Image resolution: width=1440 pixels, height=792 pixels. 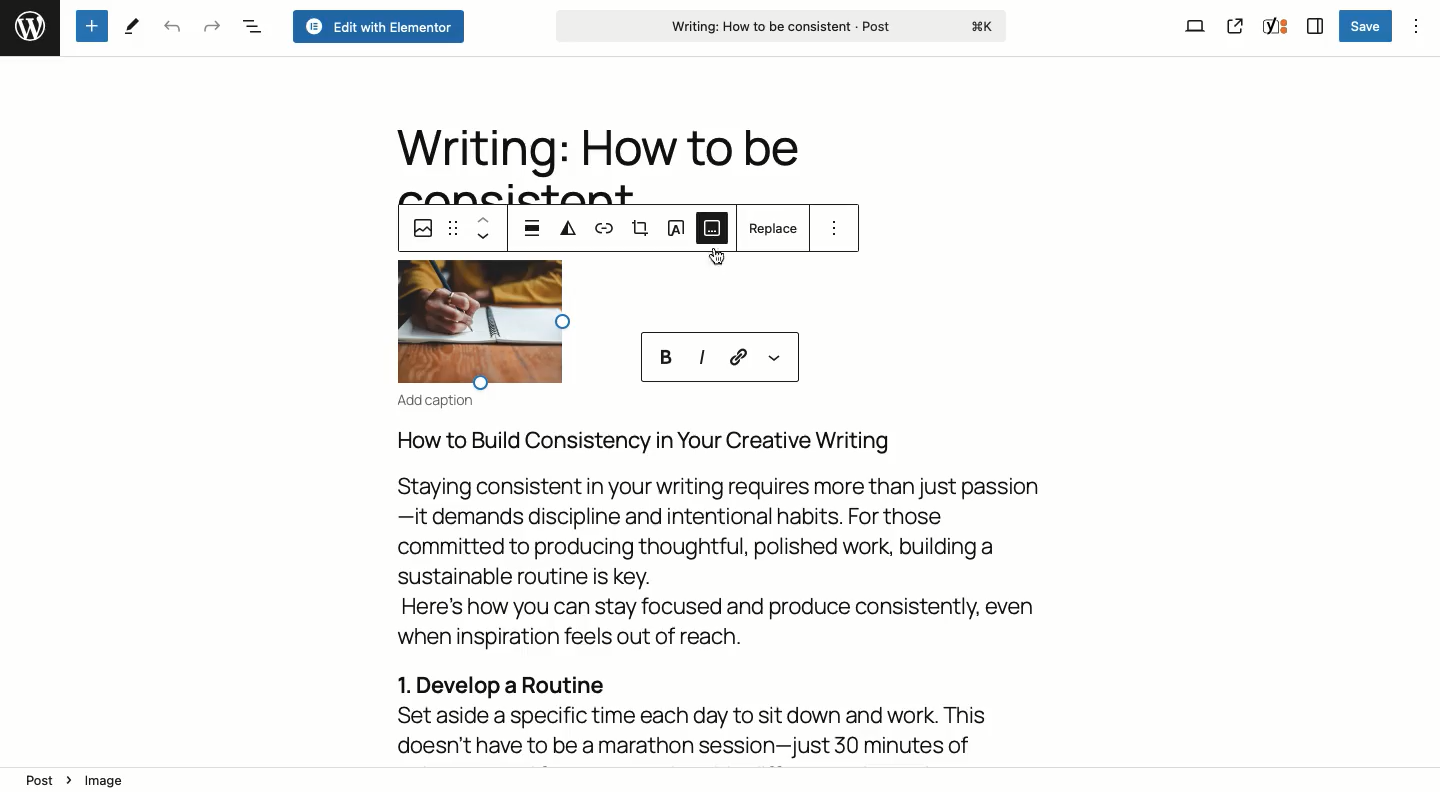 What do you see at coordinates (91, 25) in the screenshot?
I see `Add new block` at bounding box center [91, 25].